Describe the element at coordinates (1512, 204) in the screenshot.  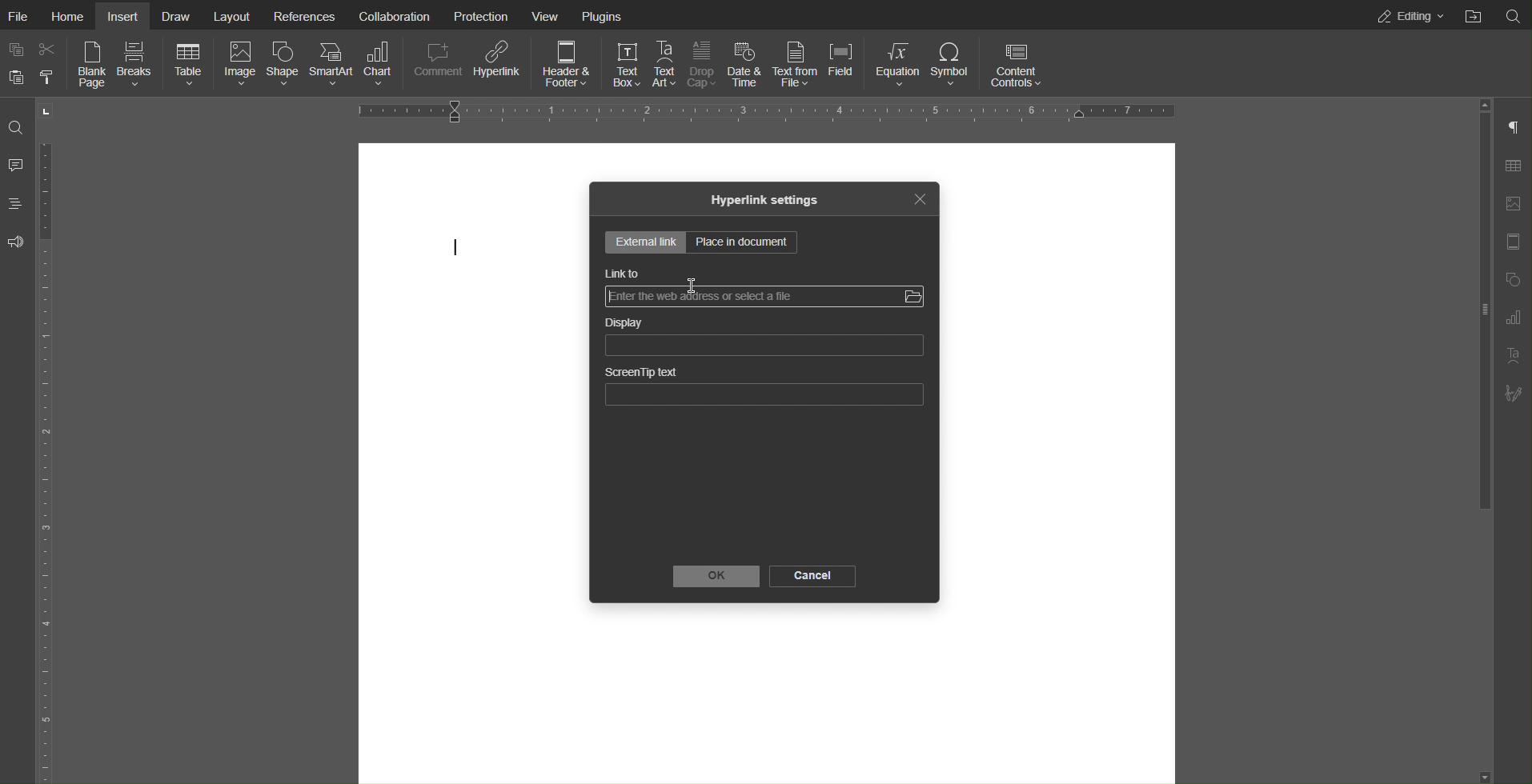
I see `Image Settings` at that location.